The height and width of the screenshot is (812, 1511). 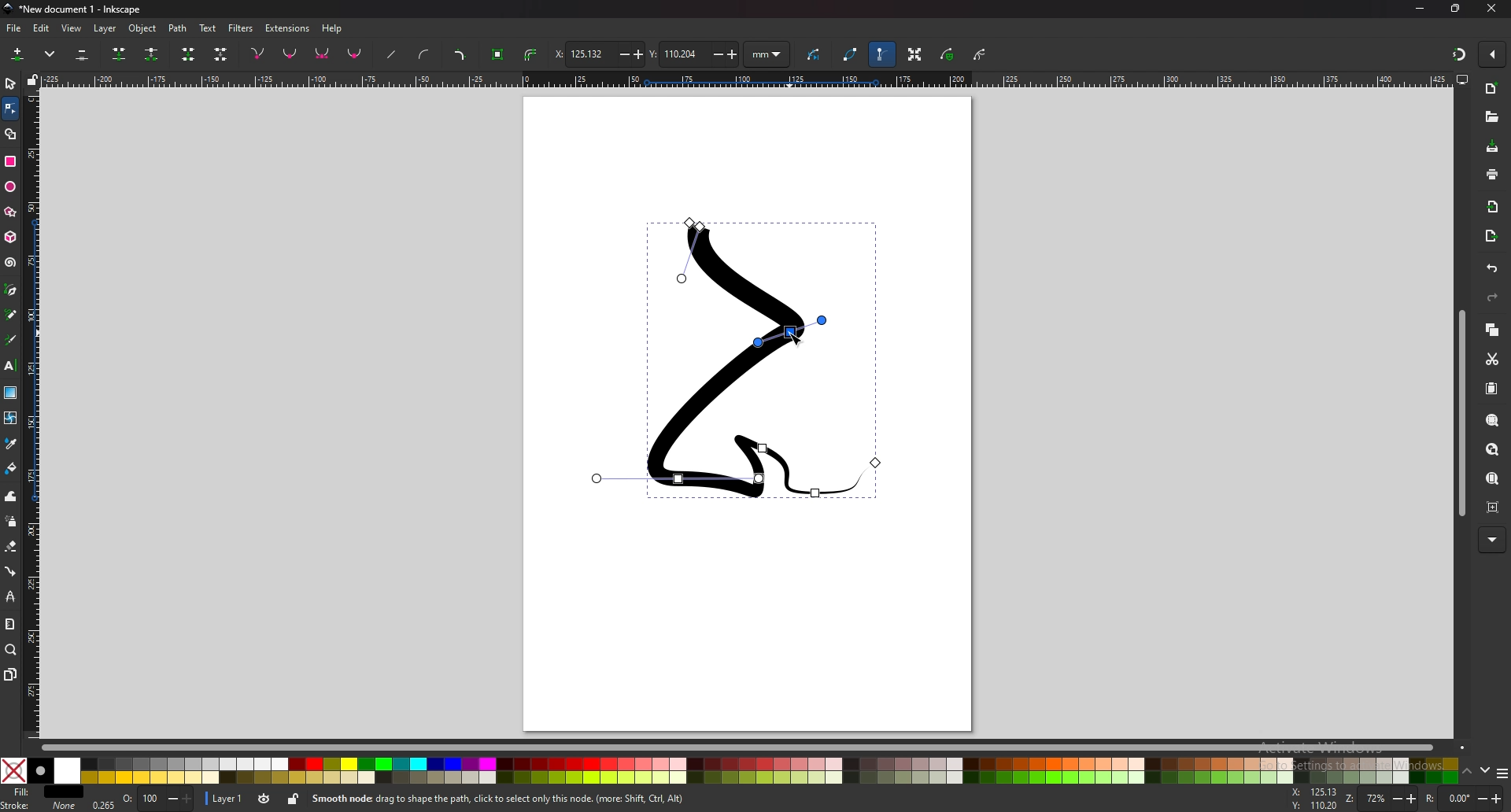 I want to click on zoom, so click(x=1391, y=800).